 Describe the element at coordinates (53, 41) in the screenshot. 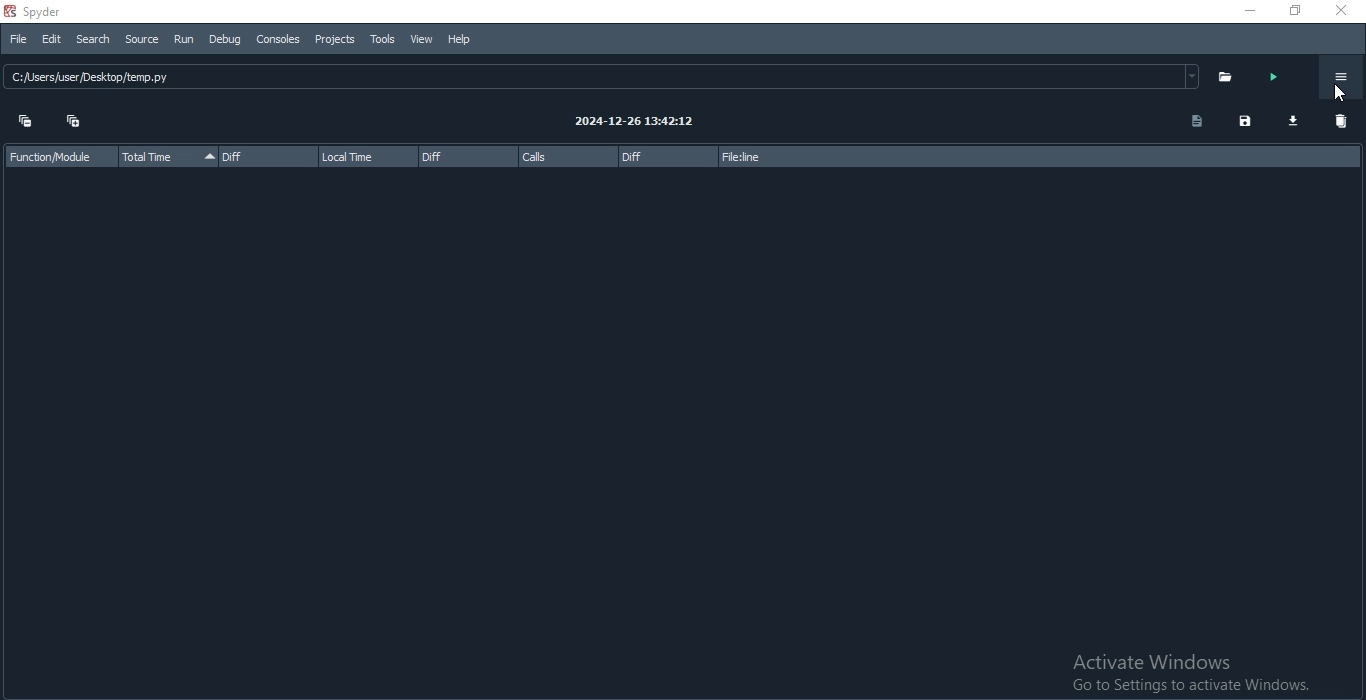

I see `Edit` at that location.